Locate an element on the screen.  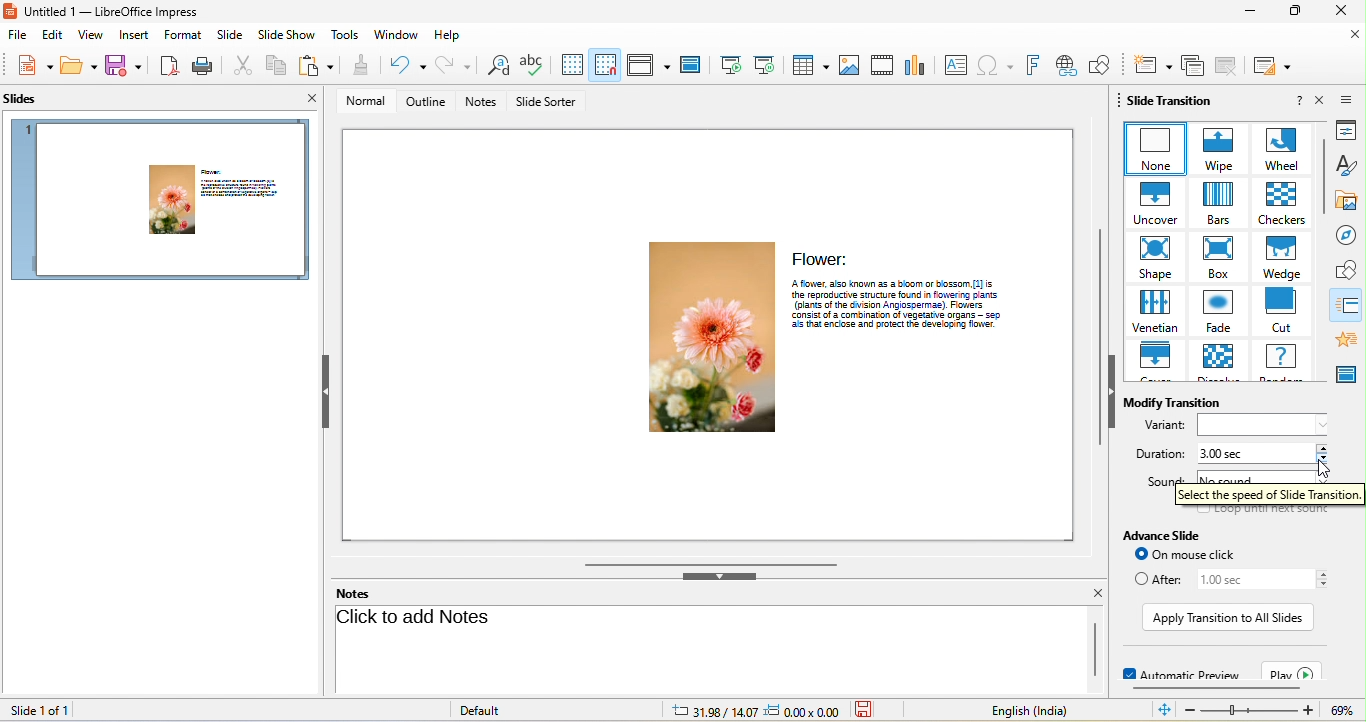
duration is located at coordinates (1159, 455).